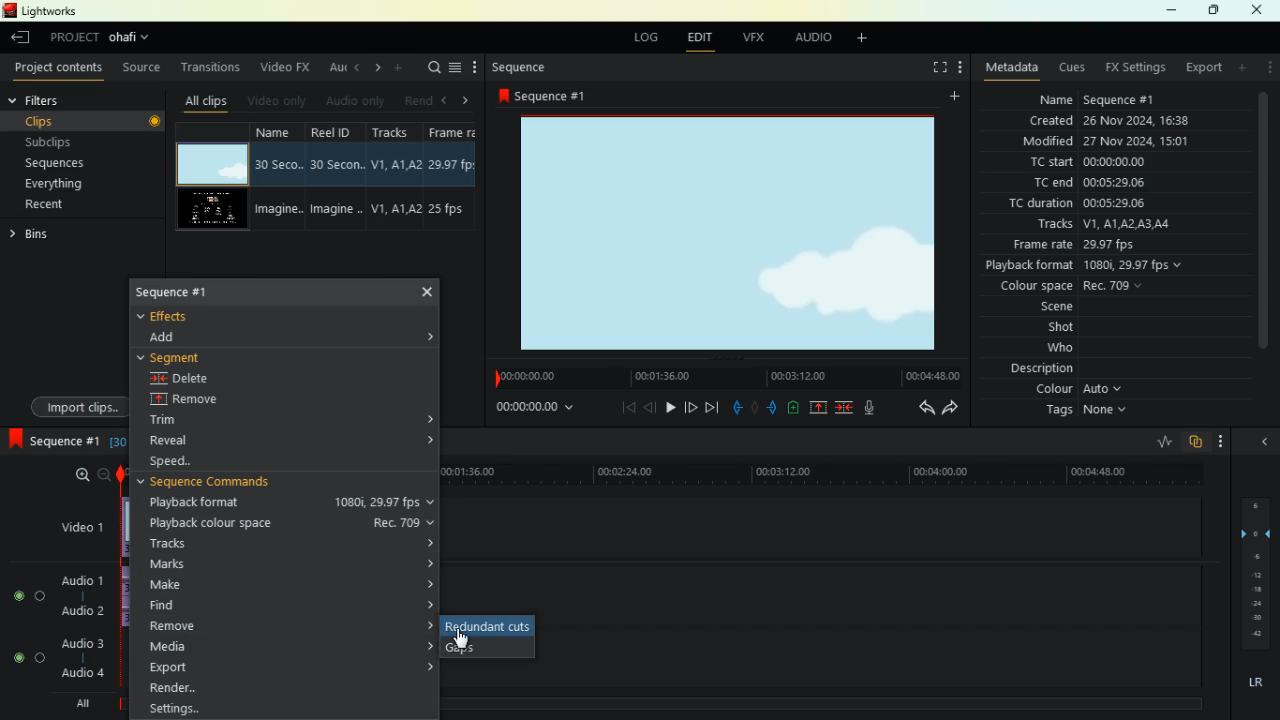  Describe the element at coordinates (286, 564) in the screenshot. I see `marks` at that location.